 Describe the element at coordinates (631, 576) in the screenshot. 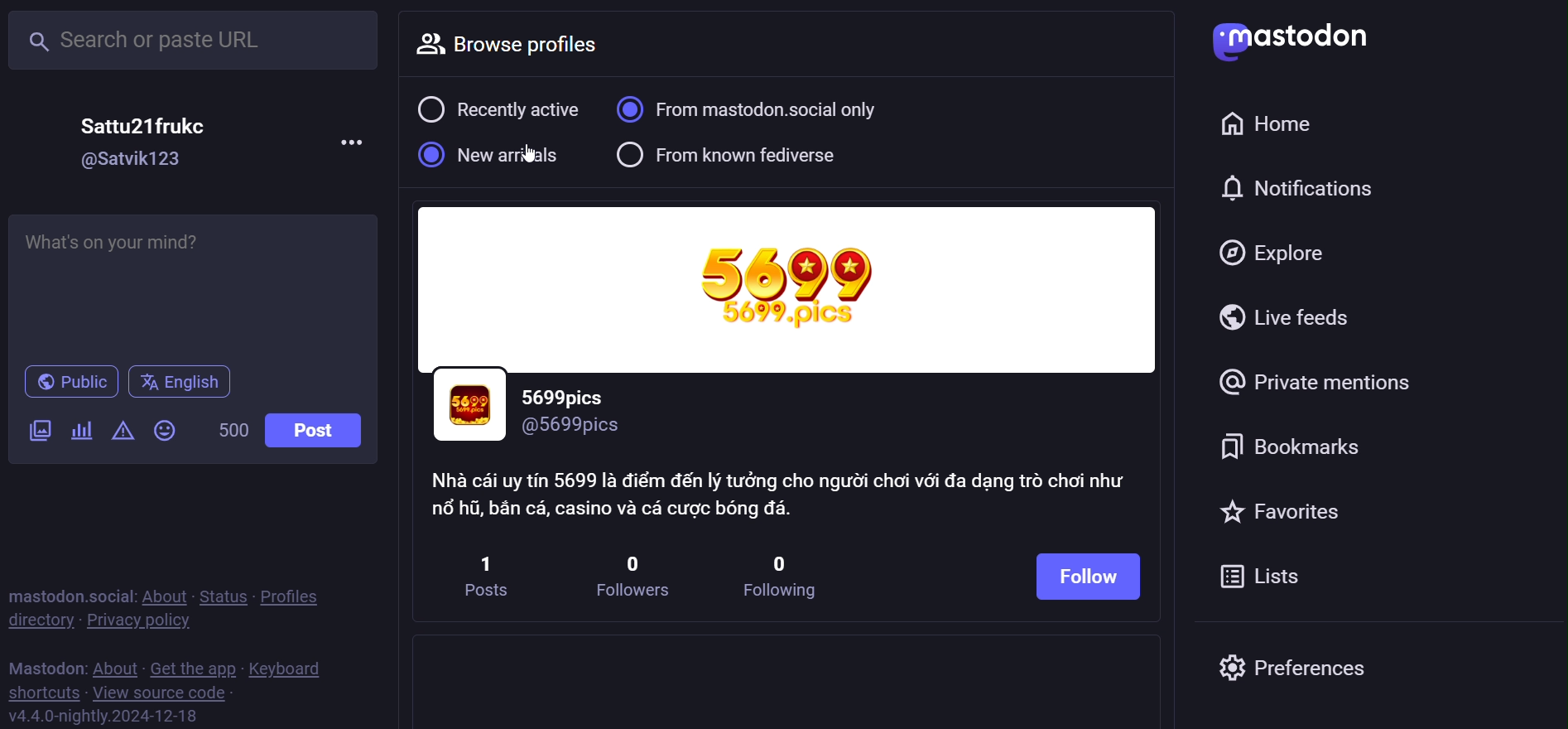

I see `0 followers` at that location.